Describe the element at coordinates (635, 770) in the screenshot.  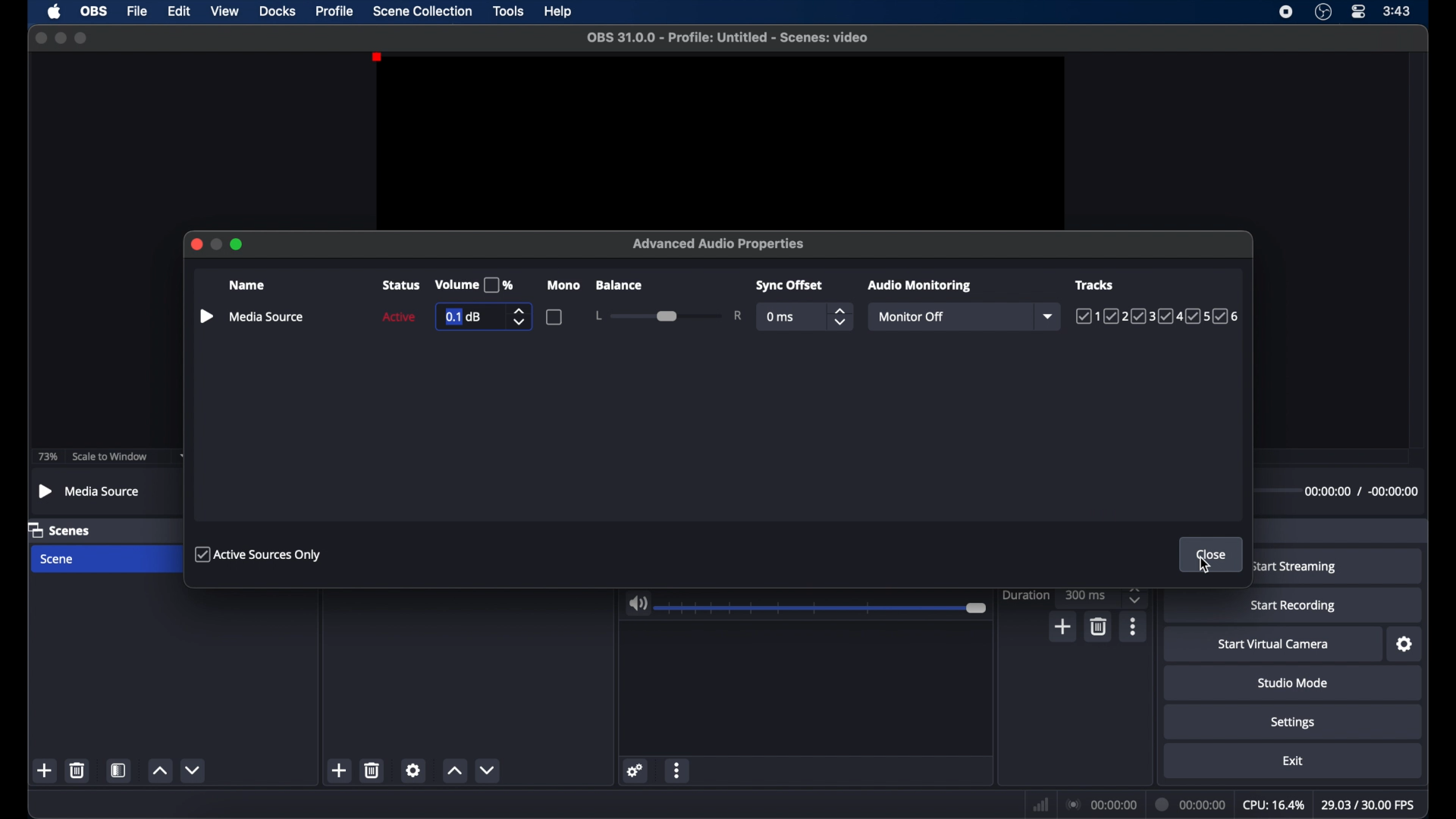
I see `settings` at that location.